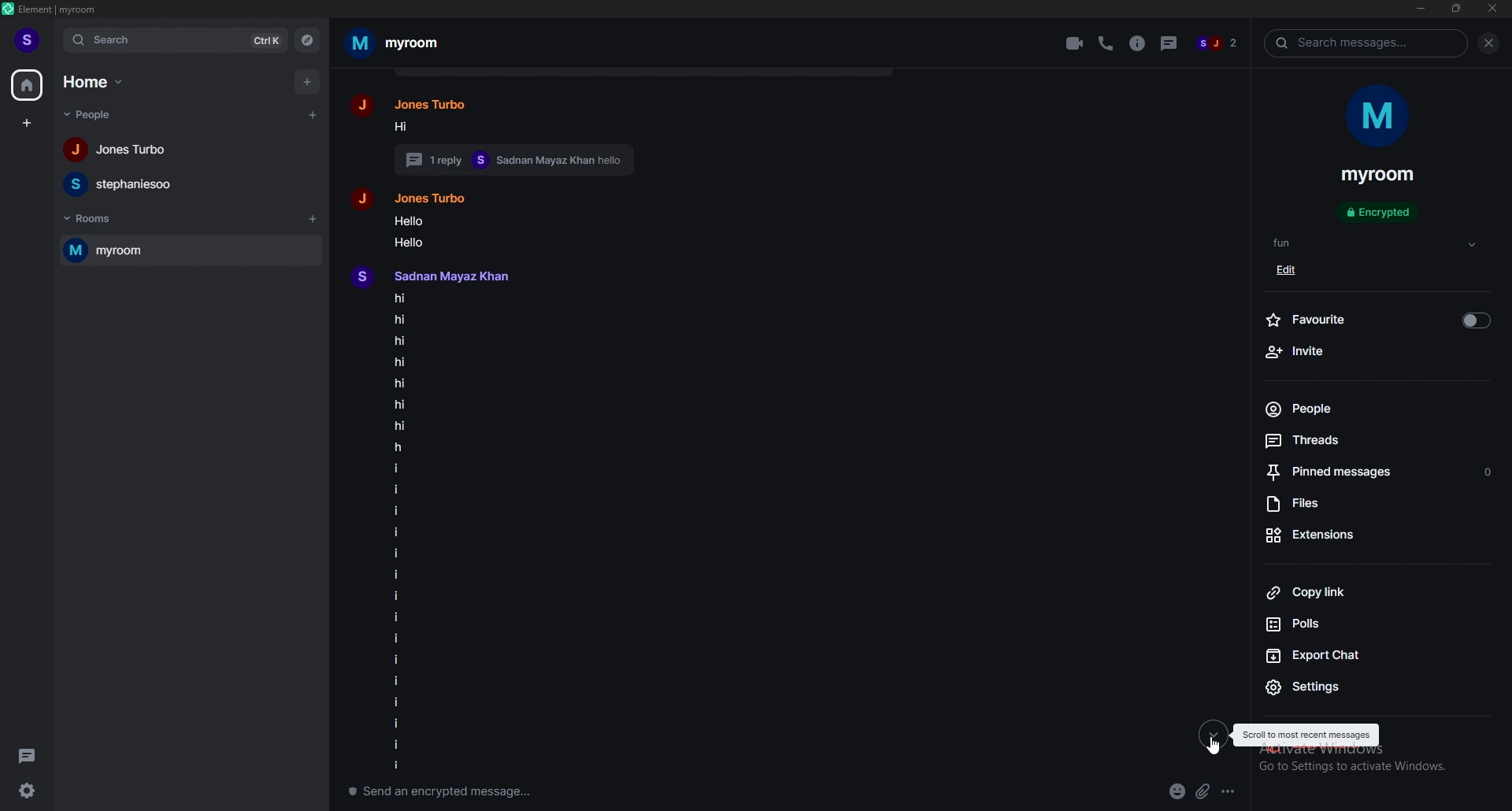  I want to click on settings, so click(1356, 686).